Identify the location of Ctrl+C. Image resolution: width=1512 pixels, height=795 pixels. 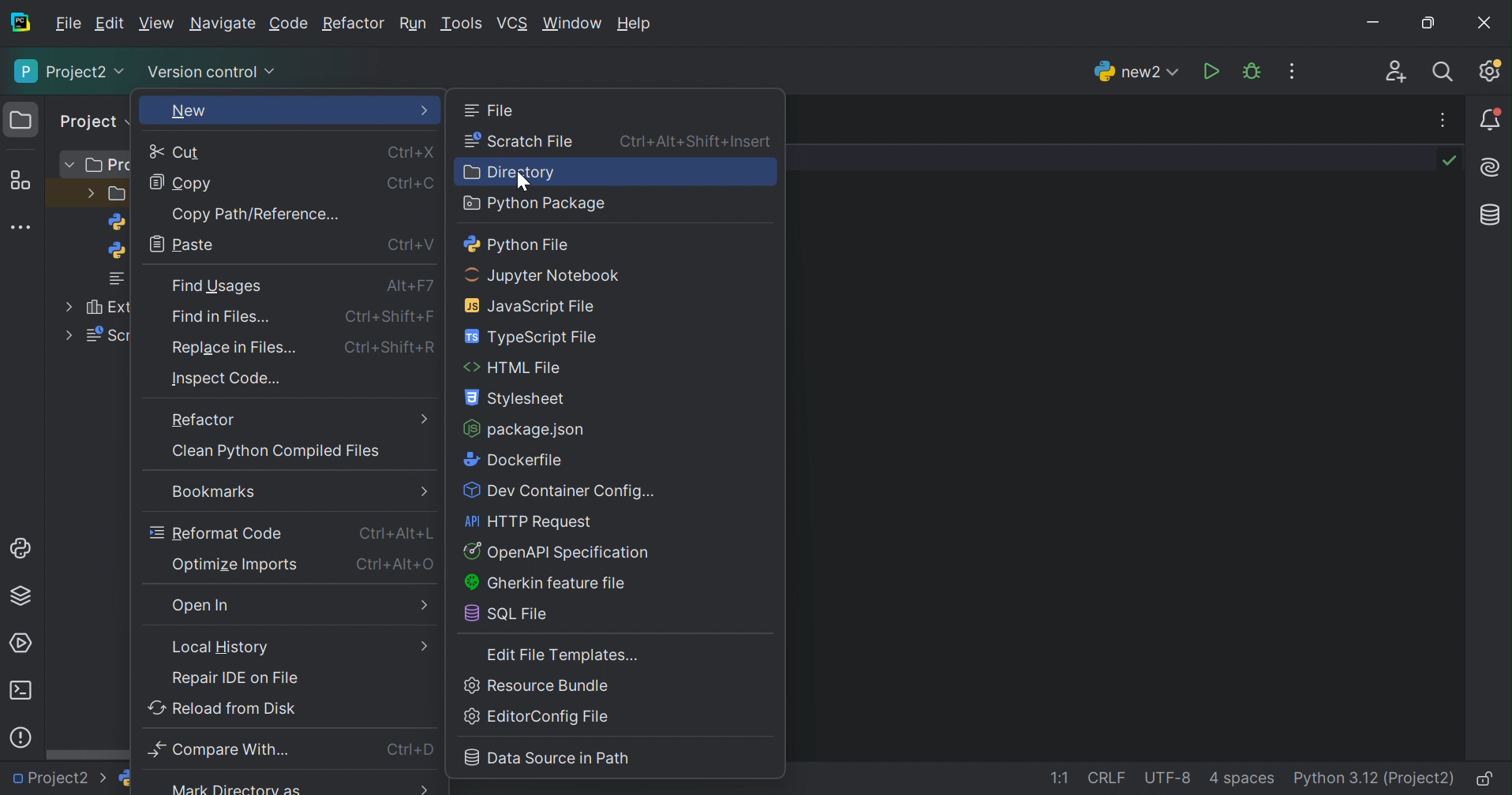
(406, 181).